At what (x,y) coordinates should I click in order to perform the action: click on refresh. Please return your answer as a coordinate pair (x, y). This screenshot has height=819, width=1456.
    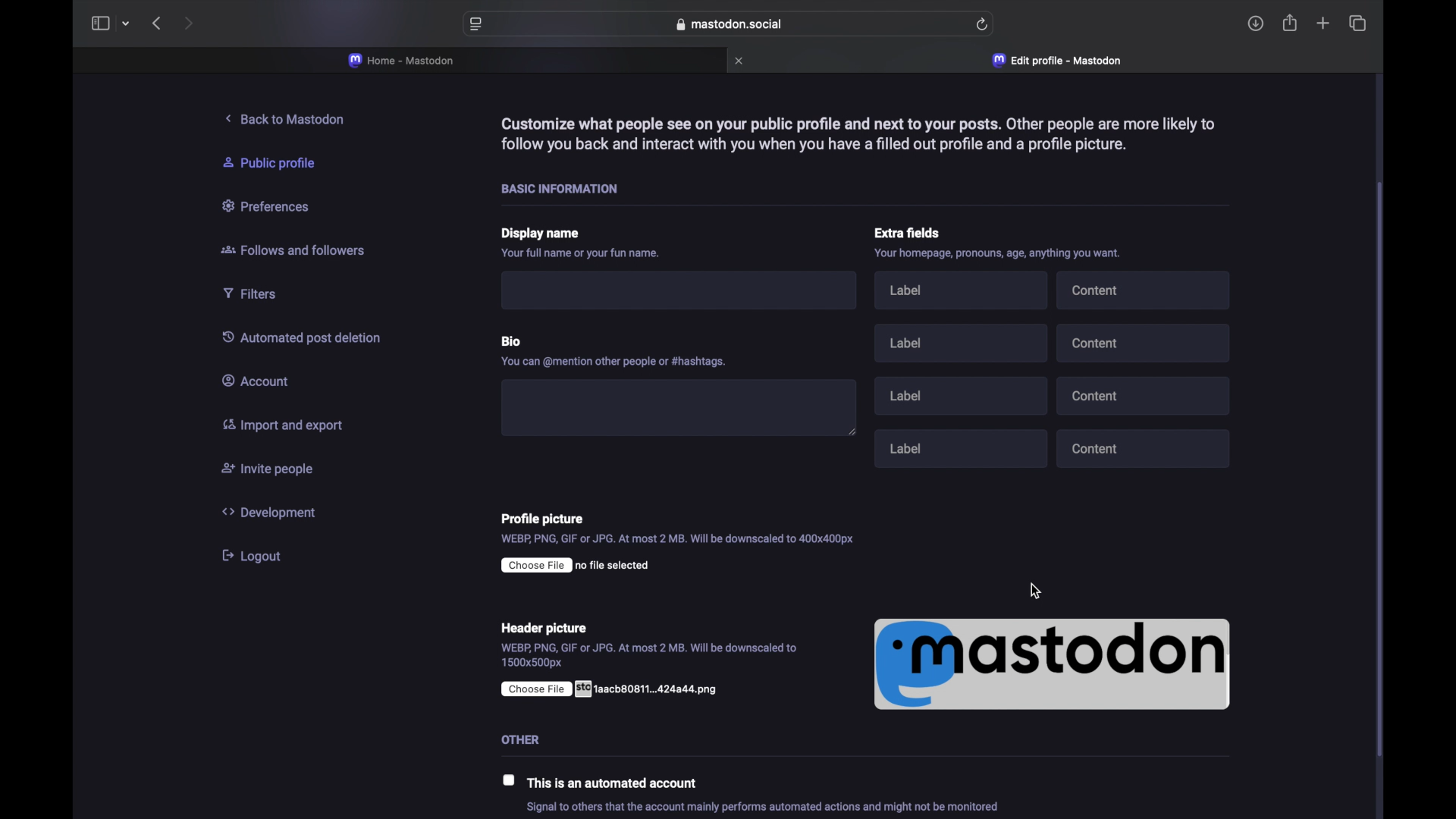
    Looking at the image, I should click on (983, 24).